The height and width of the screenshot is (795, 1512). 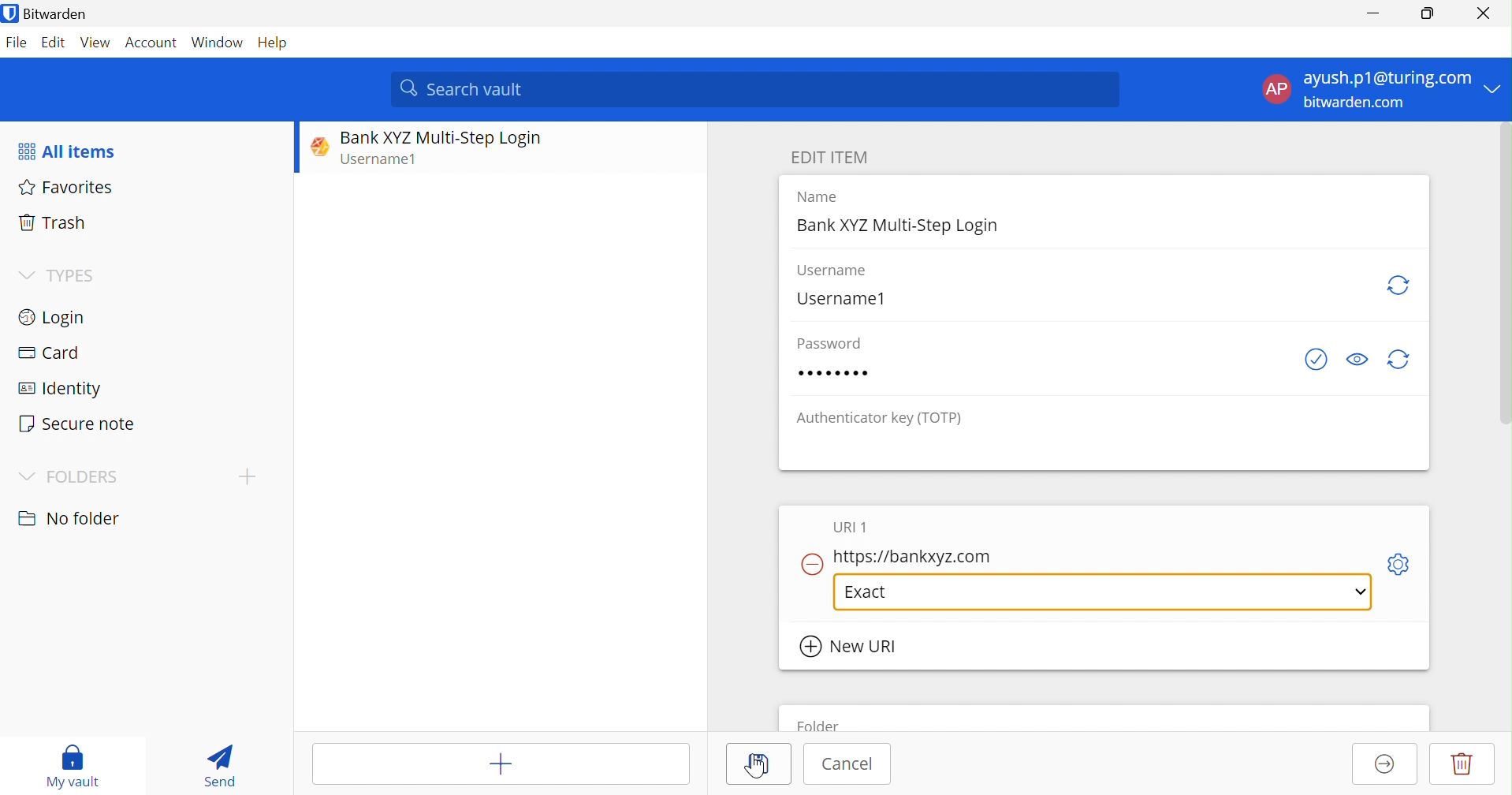 I want to click on Edit, so click(x=53, y=43).